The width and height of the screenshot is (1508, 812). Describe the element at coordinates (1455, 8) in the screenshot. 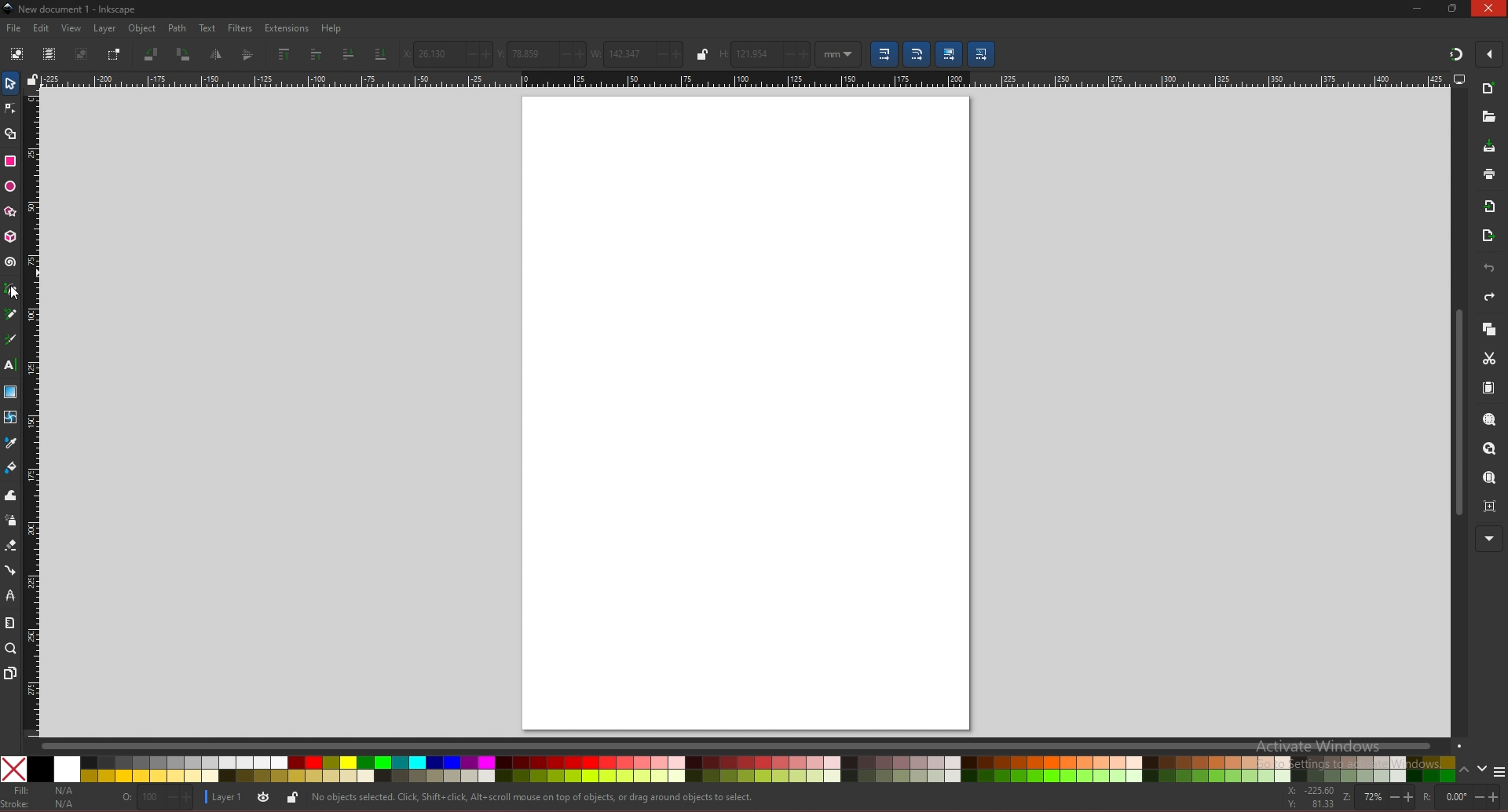

I see `resize` at that location.